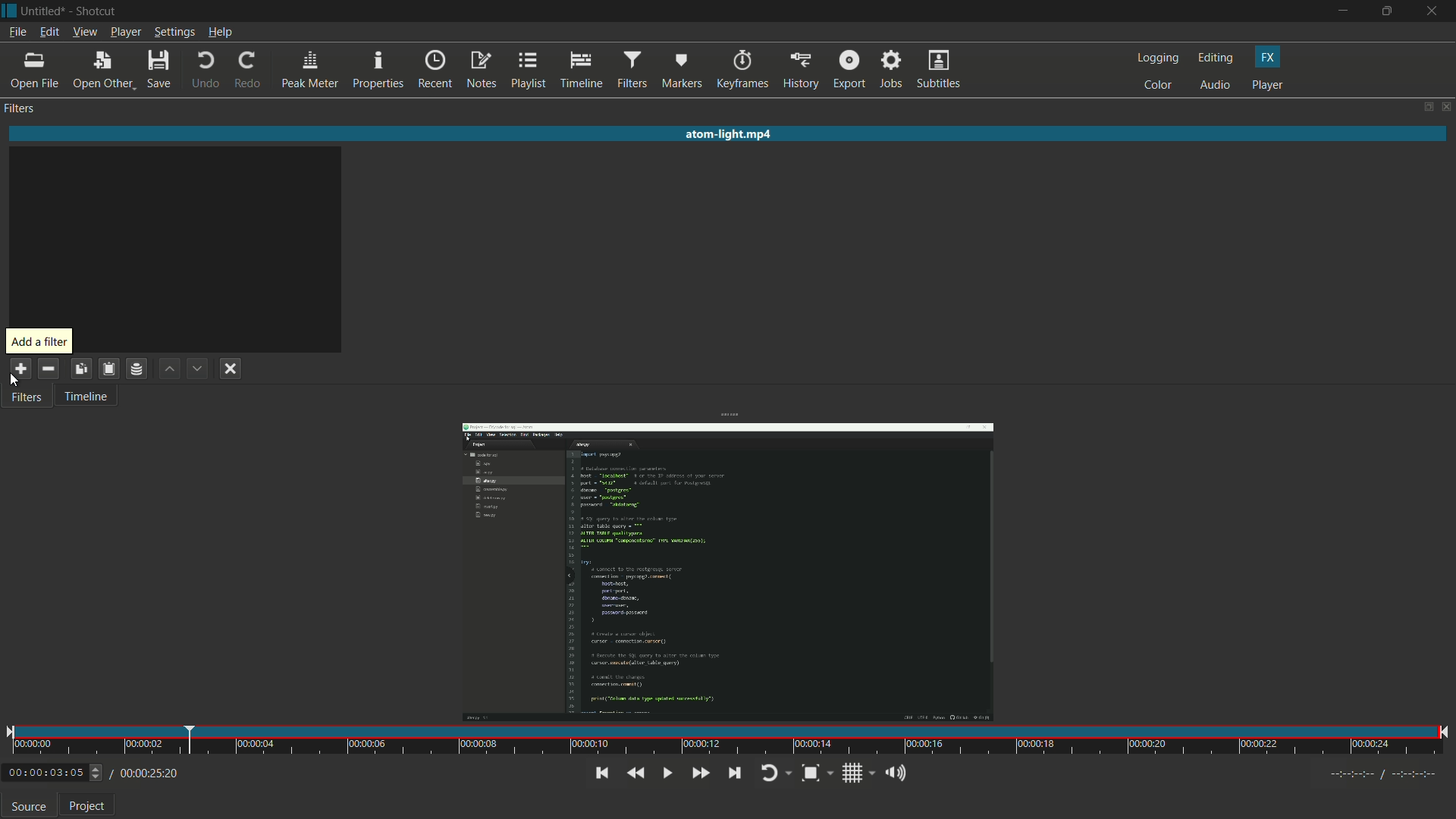  Describe the element at coordinates (174, 33) in the screenshot. I see `settings menu` at that location.